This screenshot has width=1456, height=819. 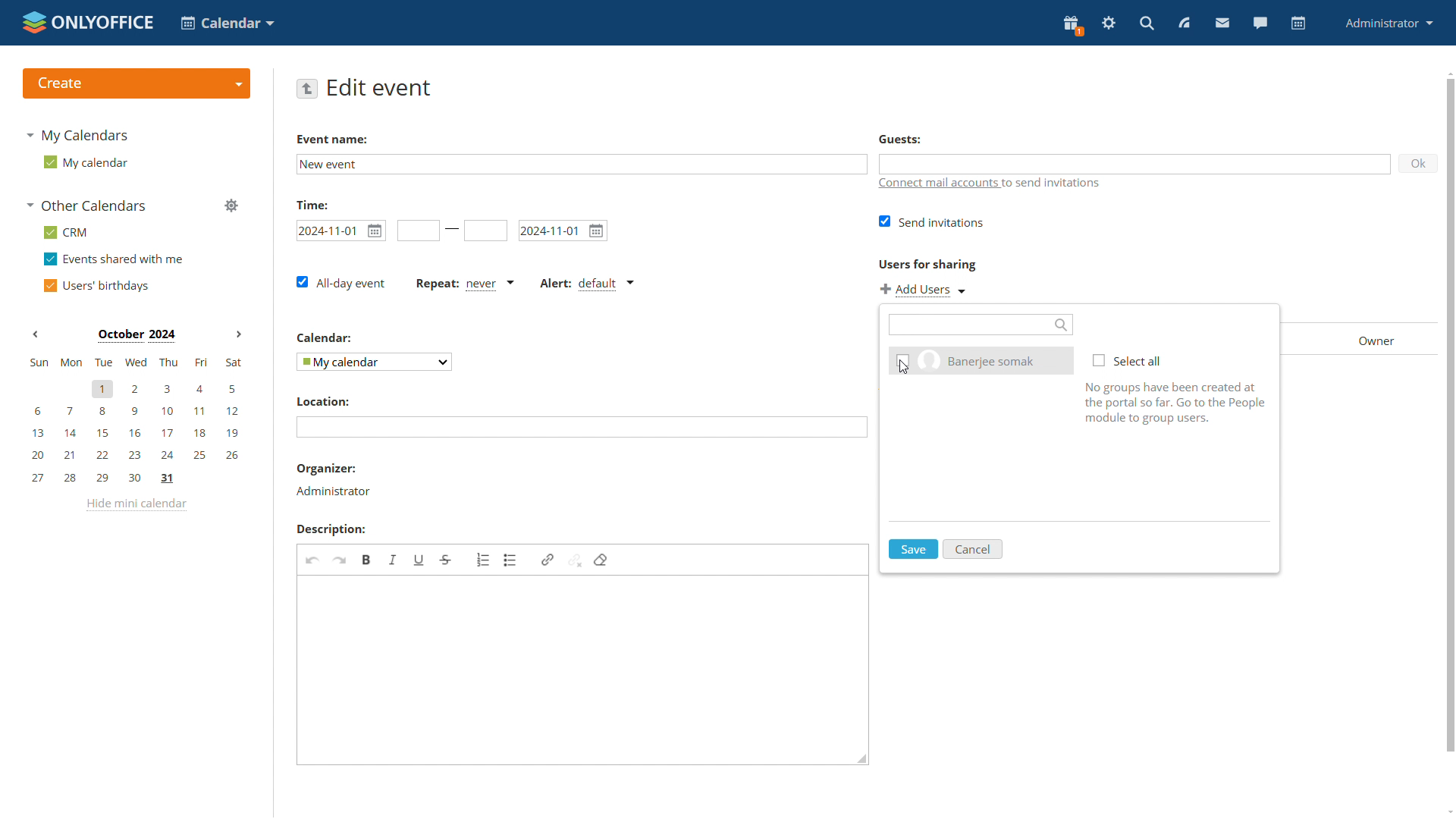 What do you see at coordinates (366, 560) in the screenshot?
I see `bold` at bounding box center [366, 560].